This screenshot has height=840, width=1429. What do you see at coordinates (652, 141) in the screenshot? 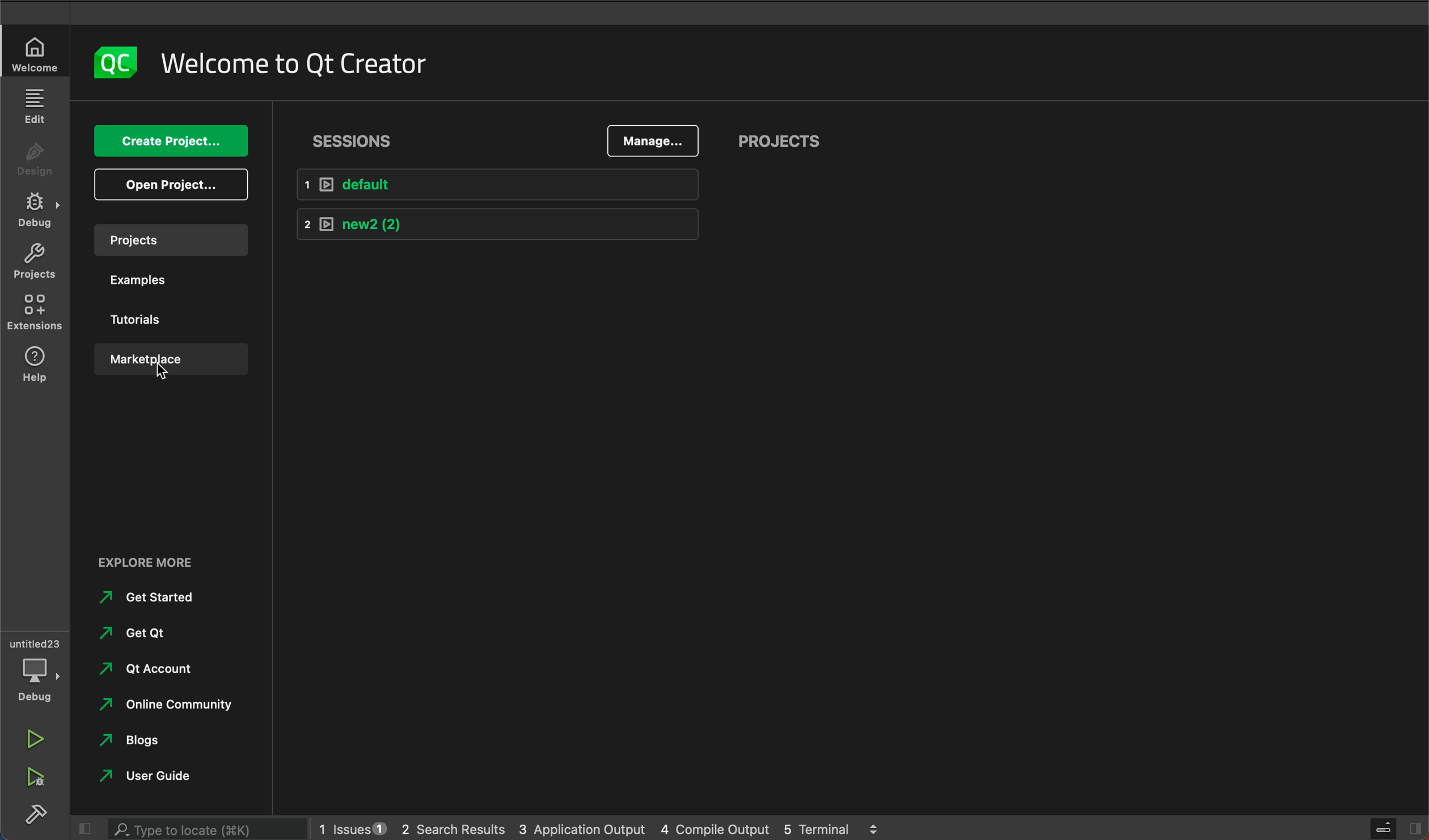
I see `manage` at bounding box center [652, 141].